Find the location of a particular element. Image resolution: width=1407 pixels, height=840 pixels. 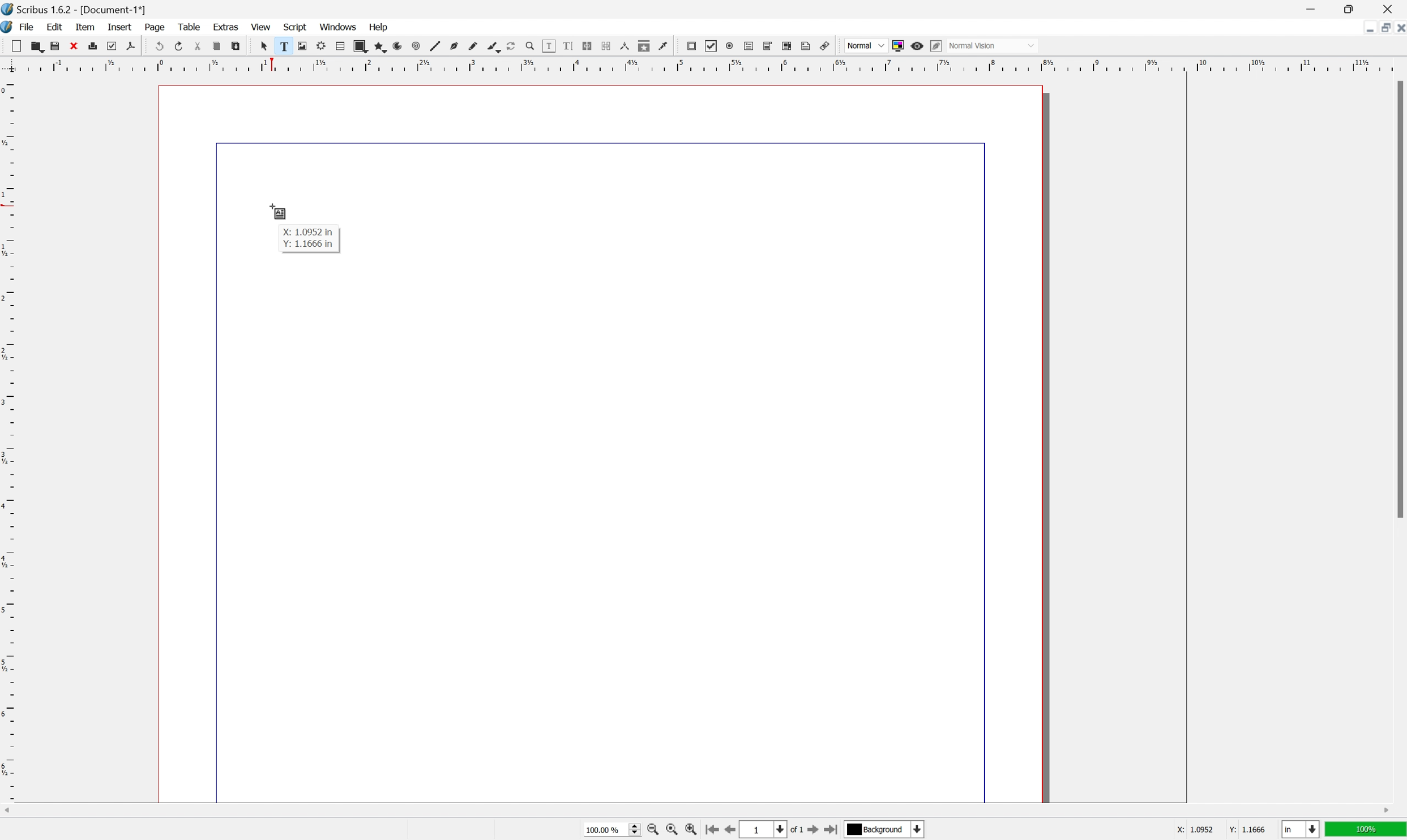

preflight verifier is located at coordinates (112, 45).